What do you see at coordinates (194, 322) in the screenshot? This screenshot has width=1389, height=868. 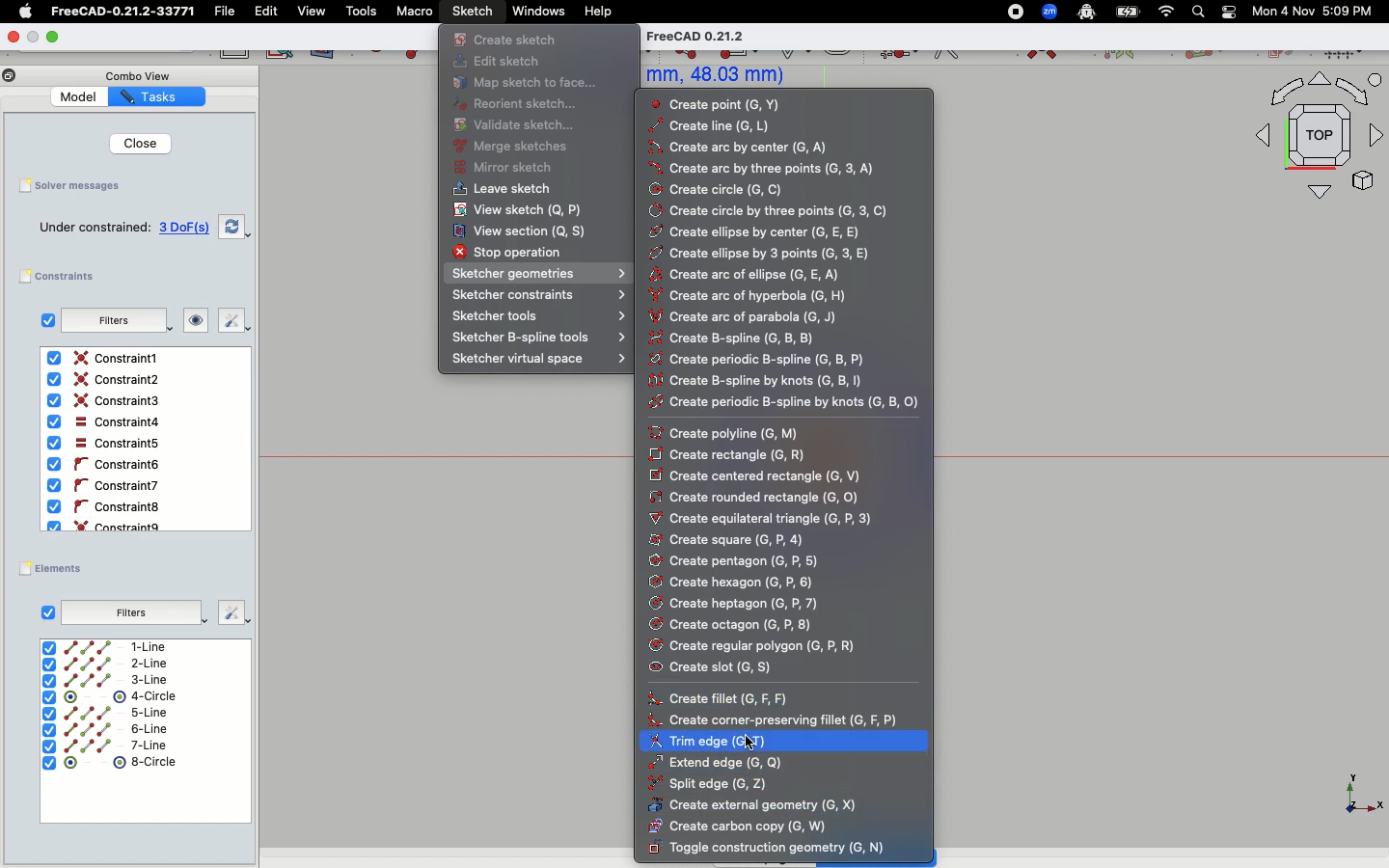 I see `Look` at bounding box center [194, 322].